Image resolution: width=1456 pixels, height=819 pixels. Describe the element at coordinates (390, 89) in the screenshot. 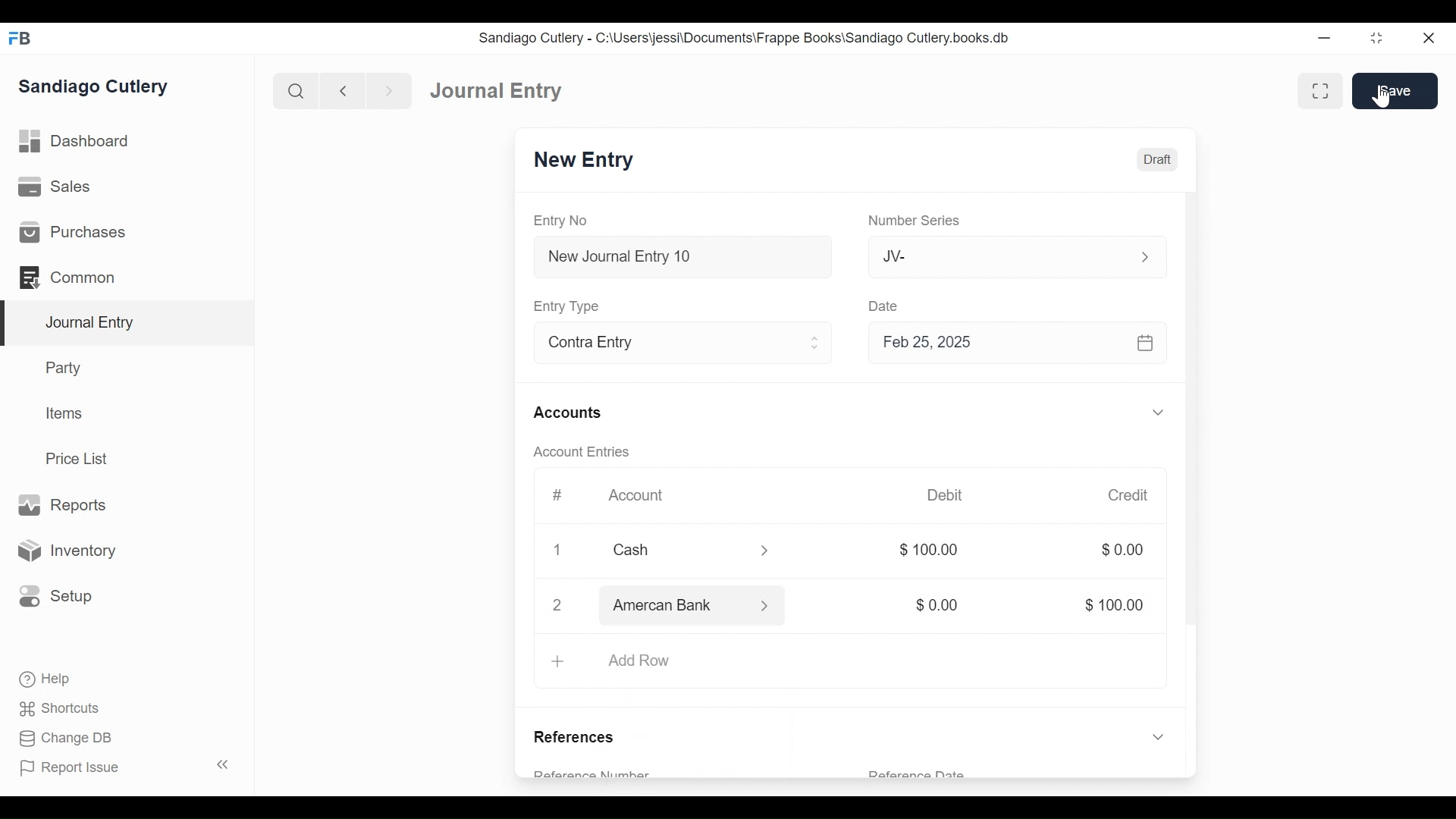

I see `Navigate Forward` at that location.